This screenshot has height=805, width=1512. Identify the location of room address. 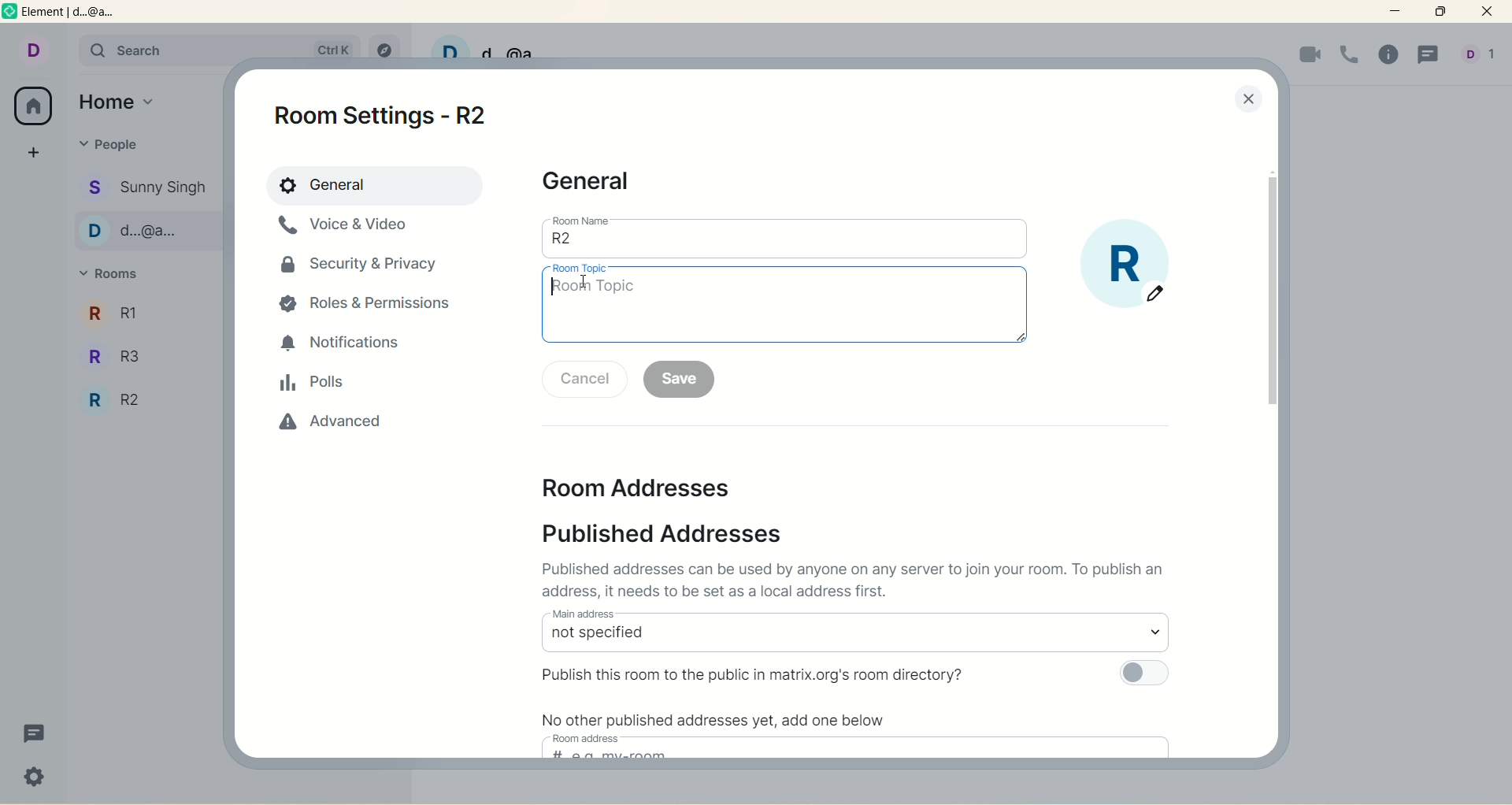
(653, 491).